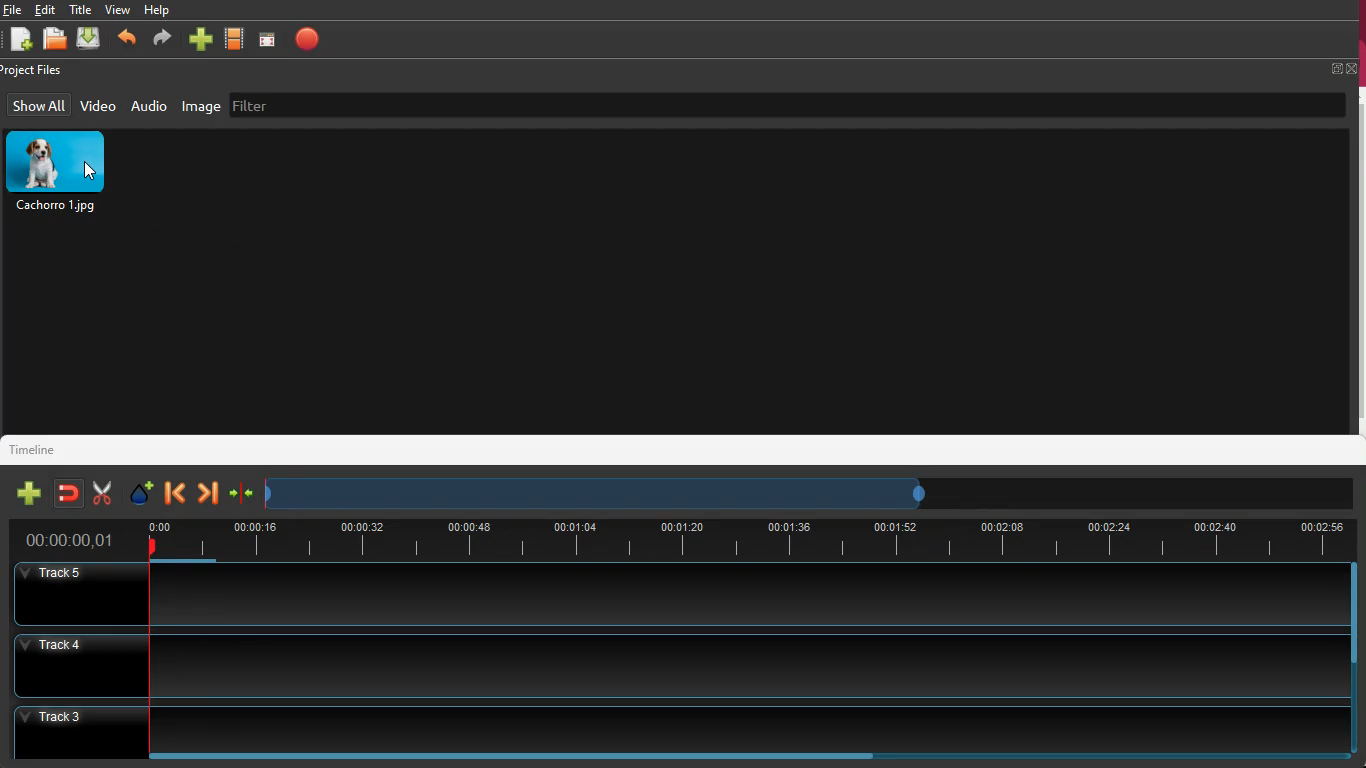 This screenshot has width=1366, height=768. Describe the element at coordinates (308, 39) in the screenshot. I see `record` at that location.